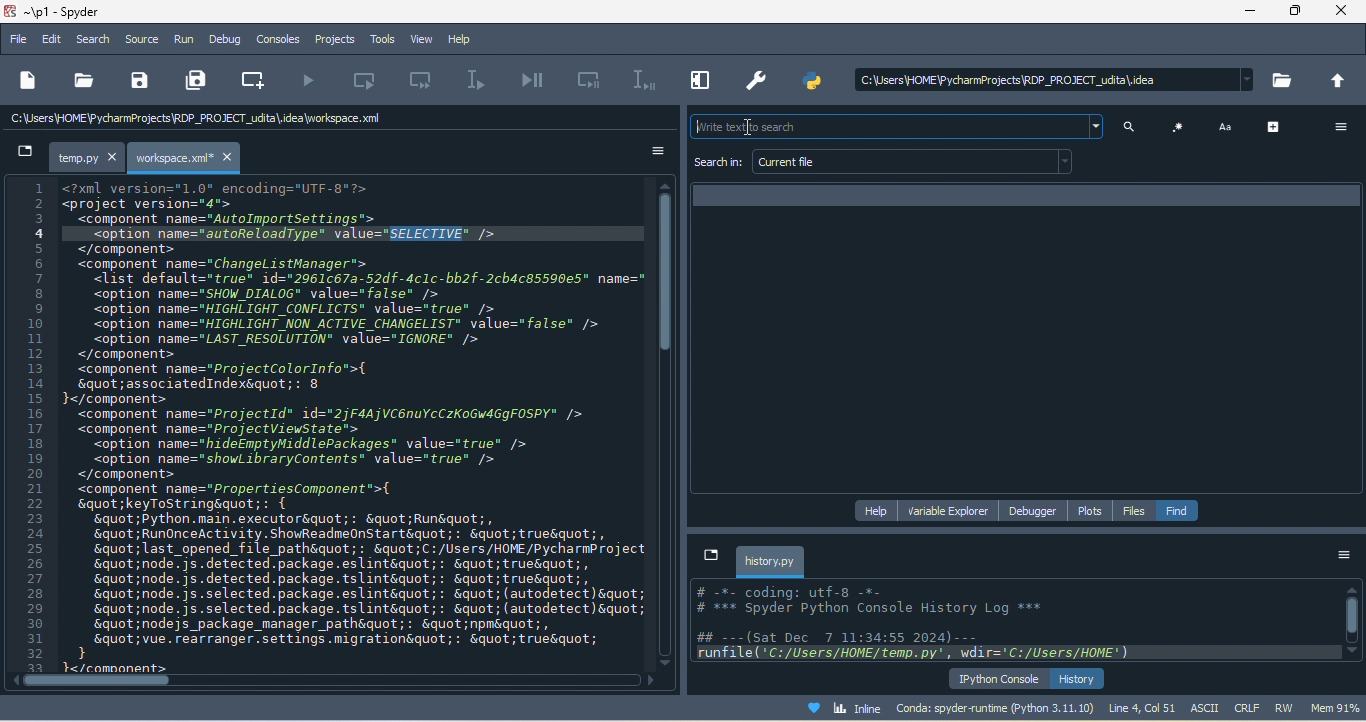 This screenshot has width=1366, height=722. Describe the element at coordinates (950, 510) in the screenshot. I see `variable explorer` at that location.